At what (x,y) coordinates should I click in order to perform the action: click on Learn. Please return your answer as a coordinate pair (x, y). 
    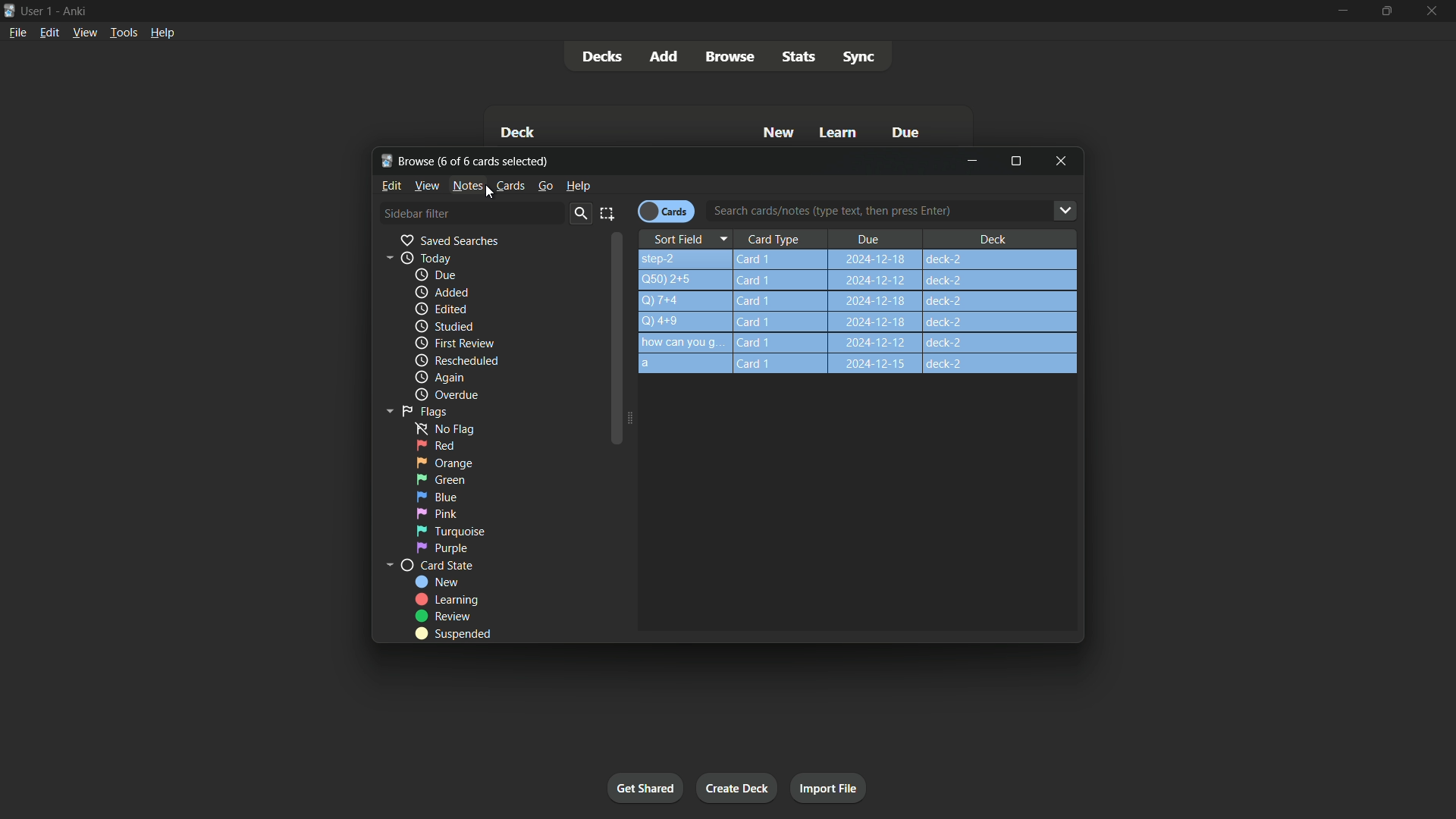
    Looking at the image, I should click on (839, 134).